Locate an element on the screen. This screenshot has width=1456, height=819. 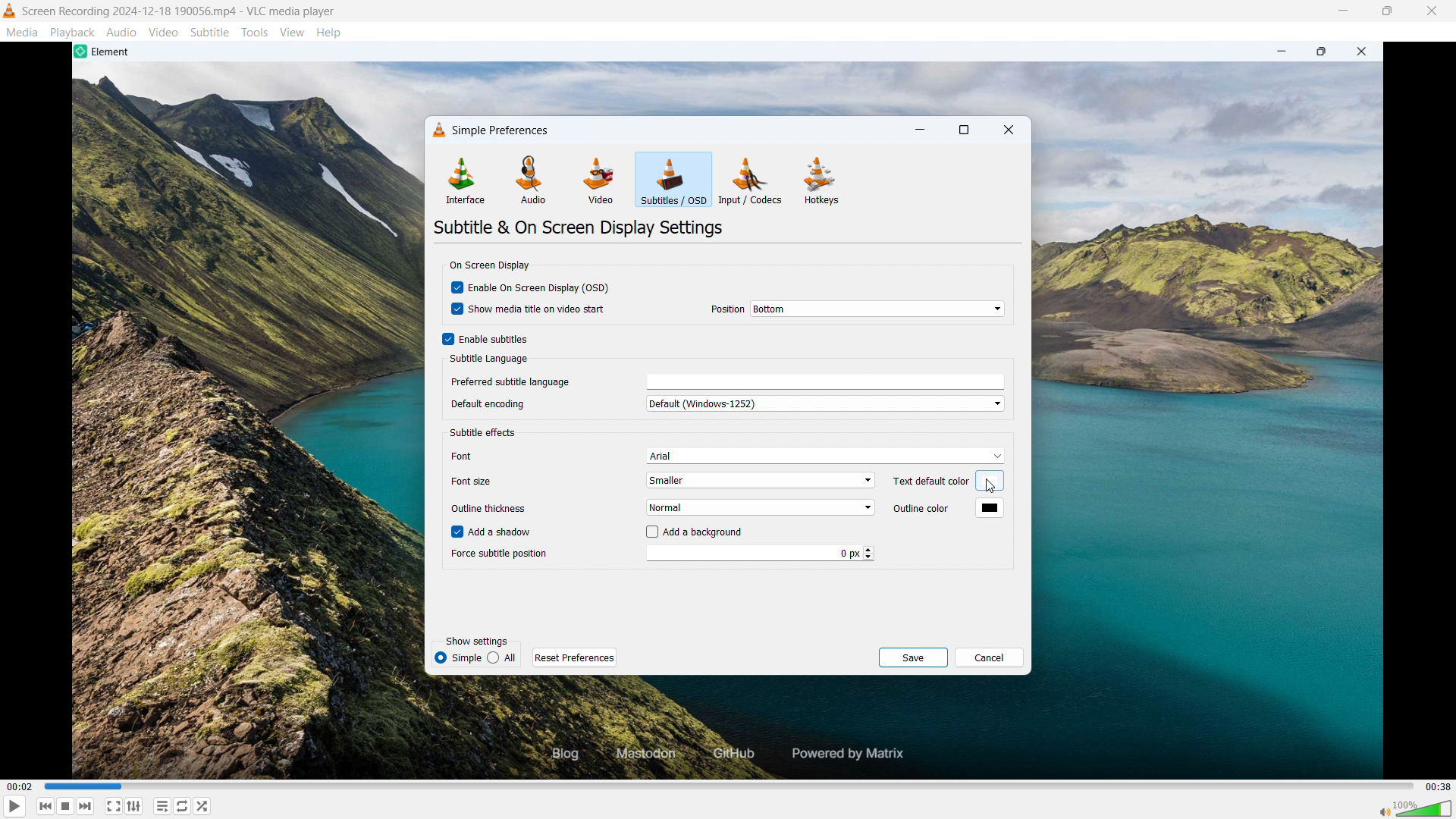
Text default color is located at coordinates (931, 480).